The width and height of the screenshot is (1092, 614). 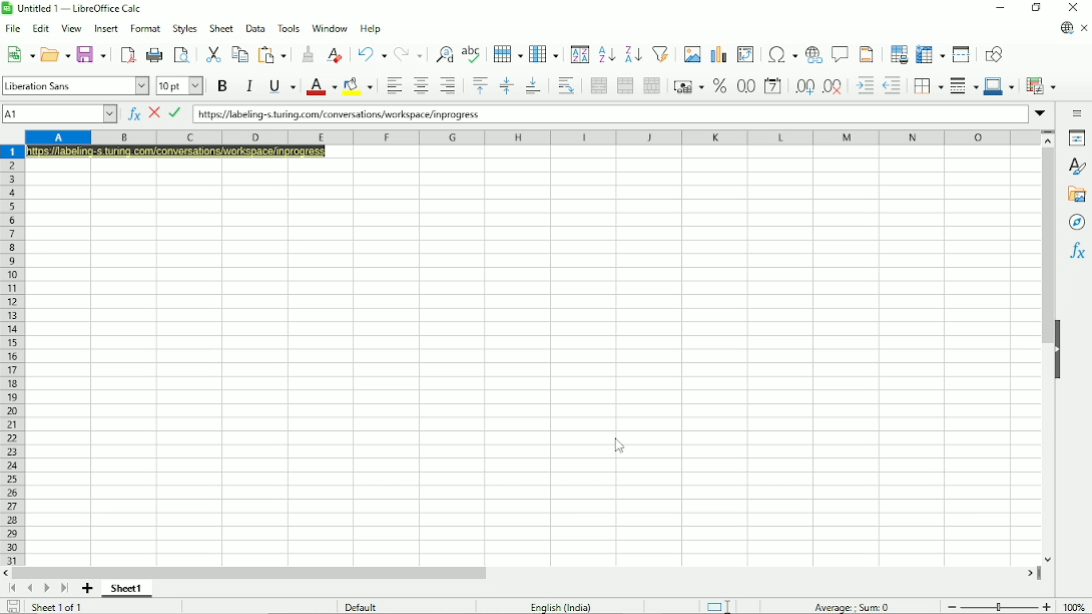 I want to click on 10PT, so click(x=180, y=85).